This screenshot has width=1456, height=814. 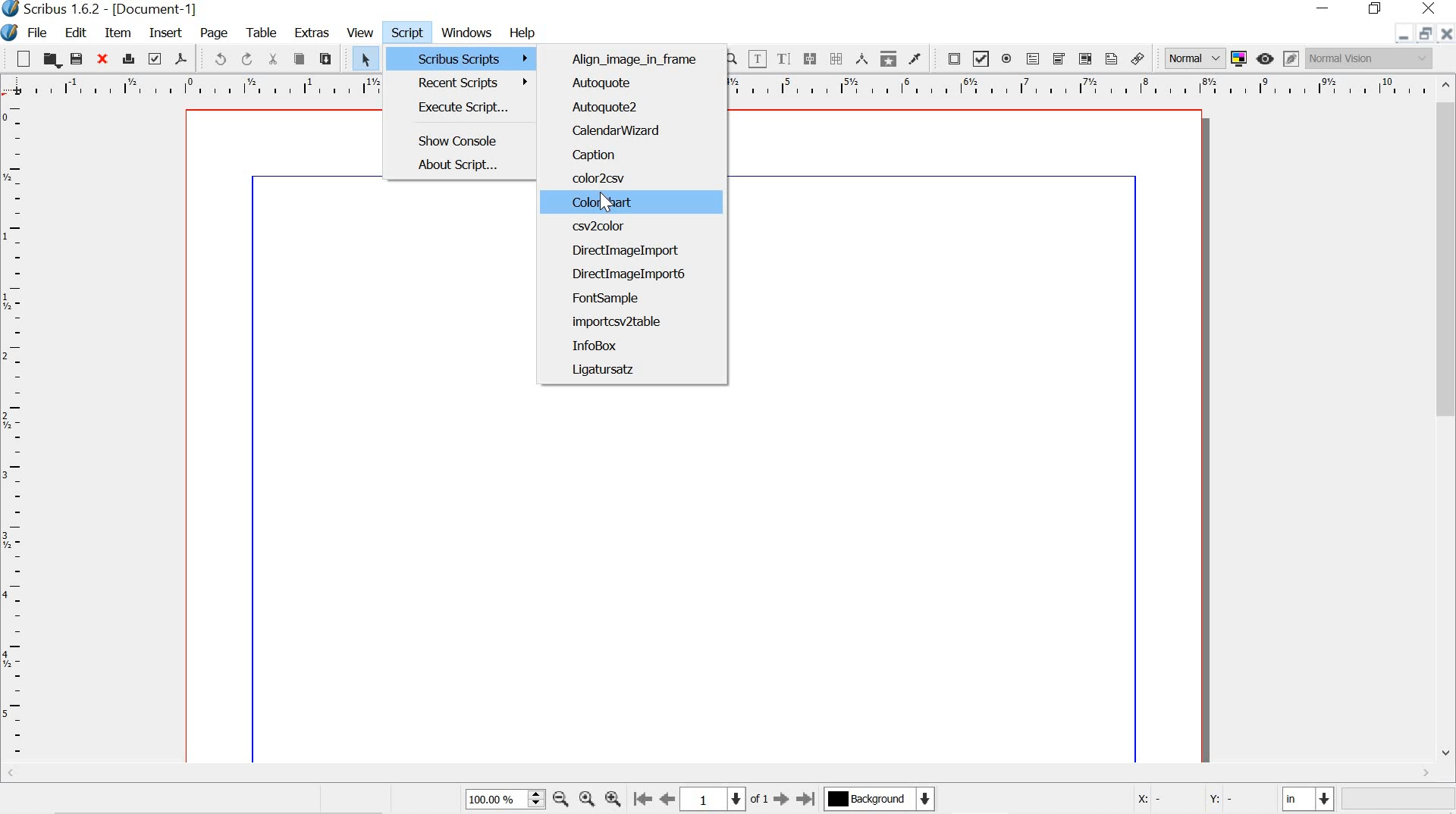 What do you see at coordinates (1305, 799) in the screenshot?
I see `current unit` at bounding box center [1305, 799].